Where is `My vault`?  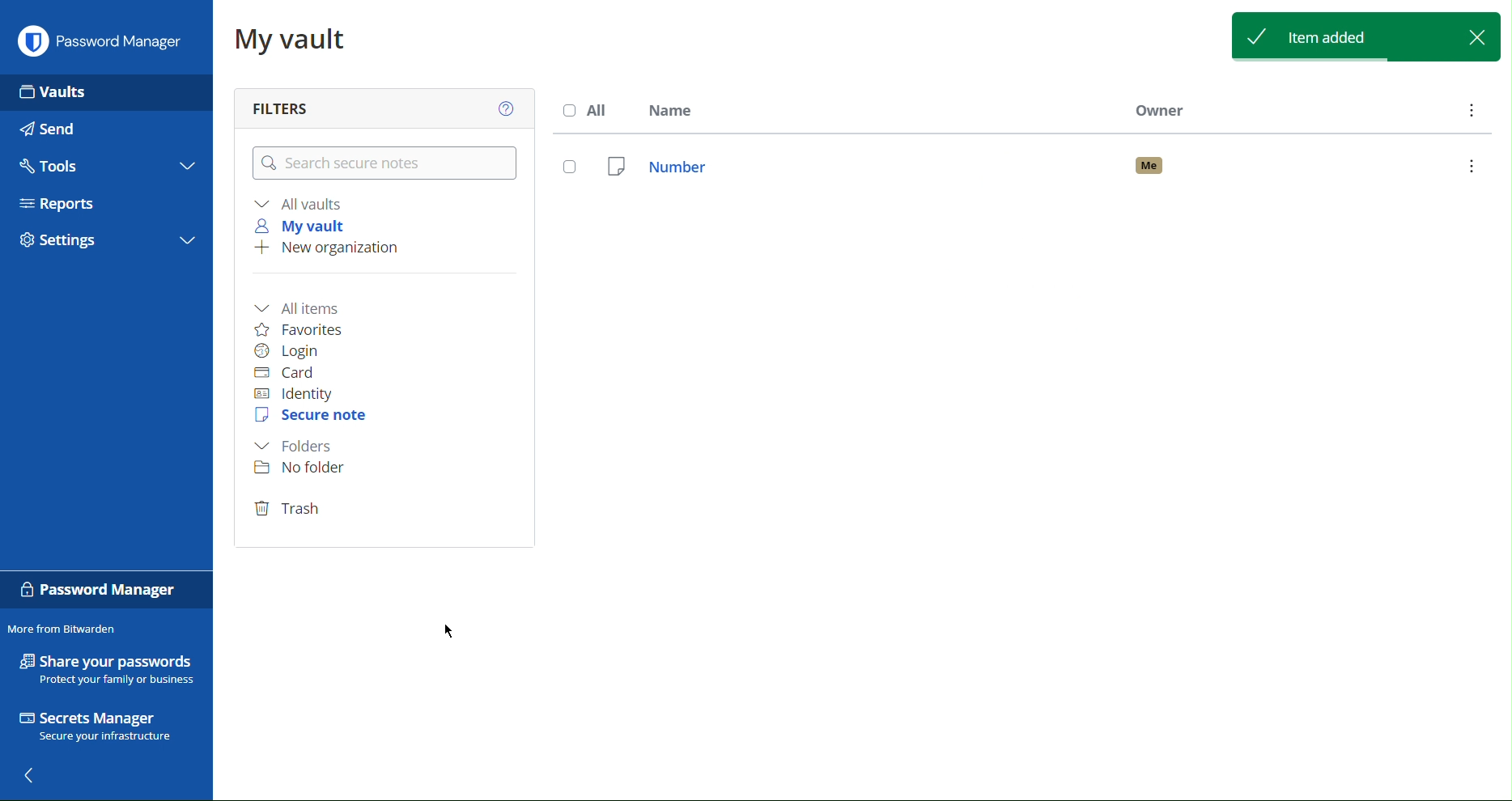
My vault is located at coordinates (306, 227).